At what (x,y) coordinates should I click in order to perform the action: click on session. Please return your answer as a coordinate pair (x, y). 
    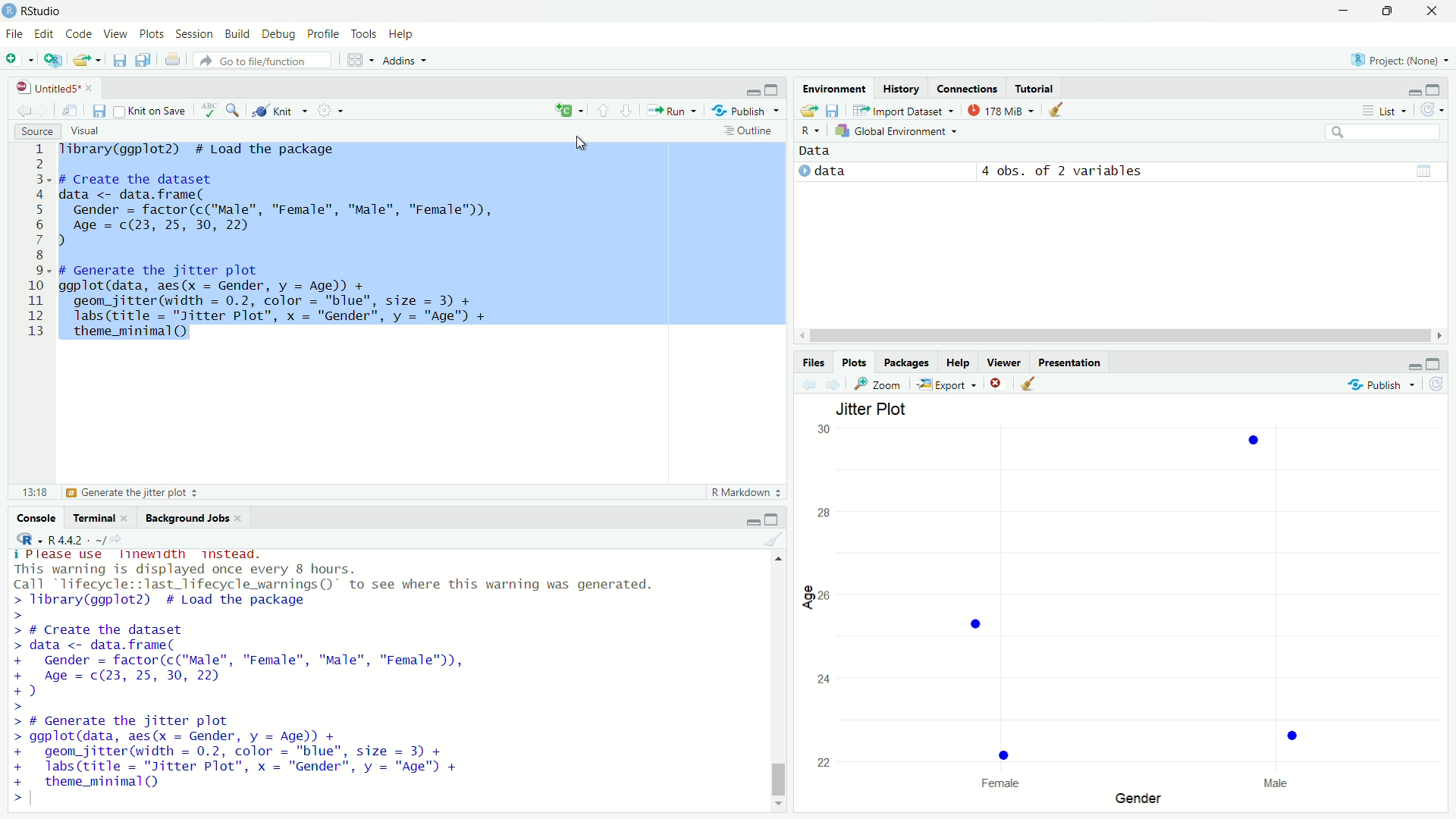
    Looking at the image, I should click on (193, 33).